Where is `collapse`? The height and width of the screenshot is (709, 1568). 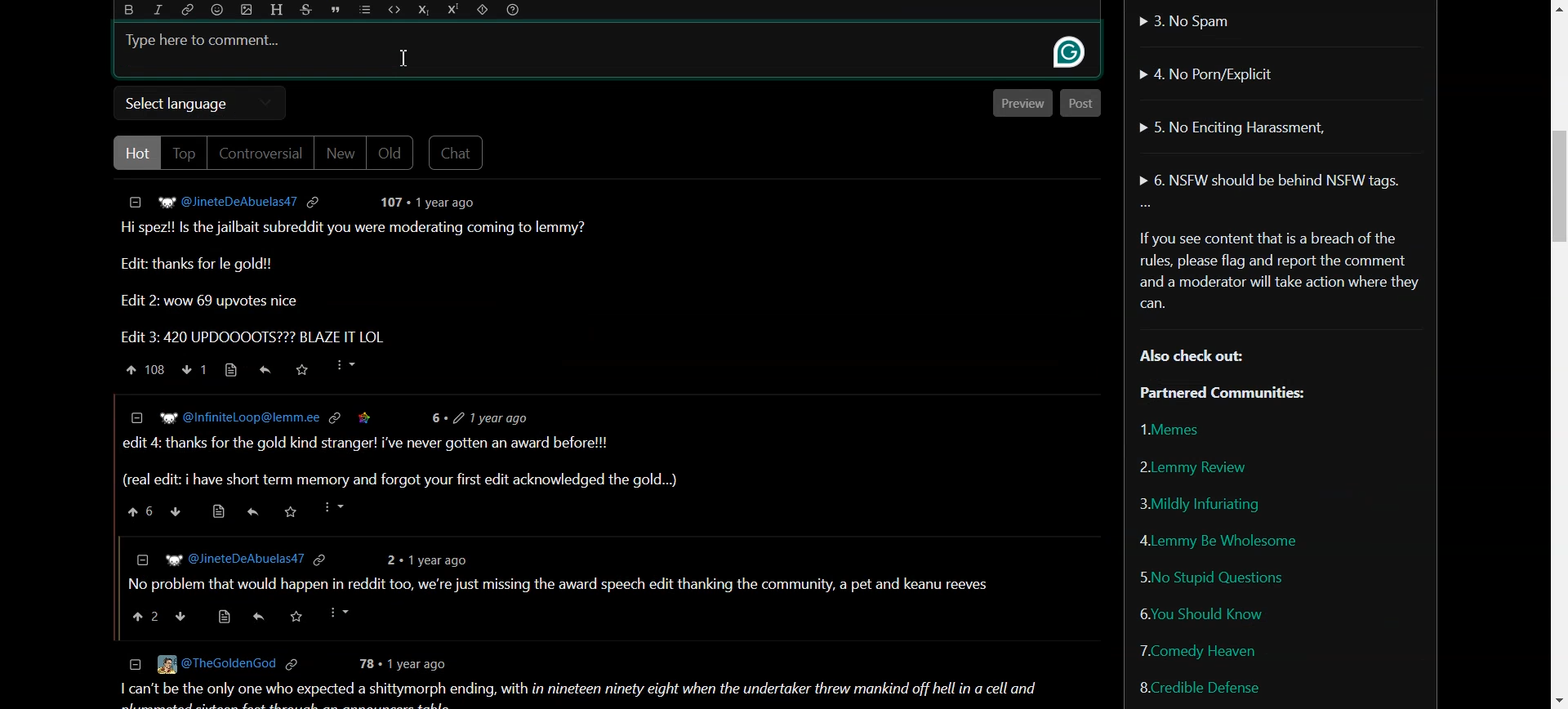
collapse is located at coordinates (135, 666).